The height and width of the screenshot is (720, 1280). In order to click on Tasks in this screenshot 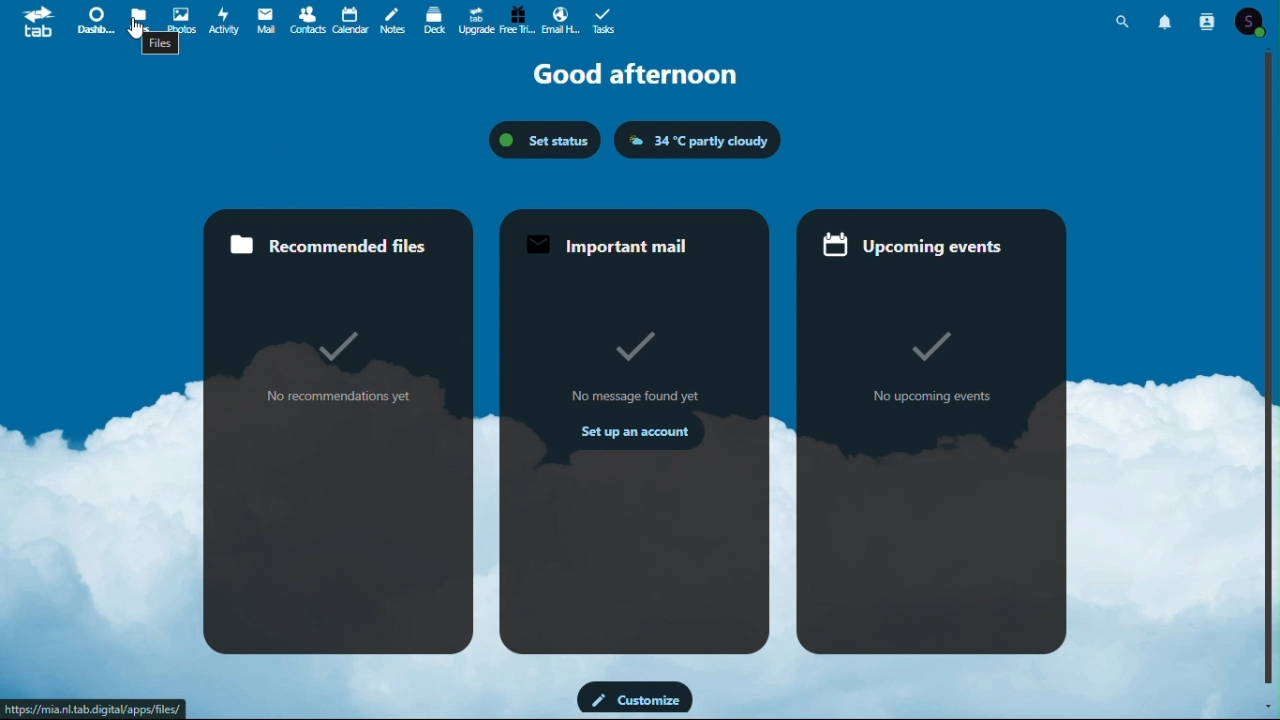, I will do `click(604, 19)`.